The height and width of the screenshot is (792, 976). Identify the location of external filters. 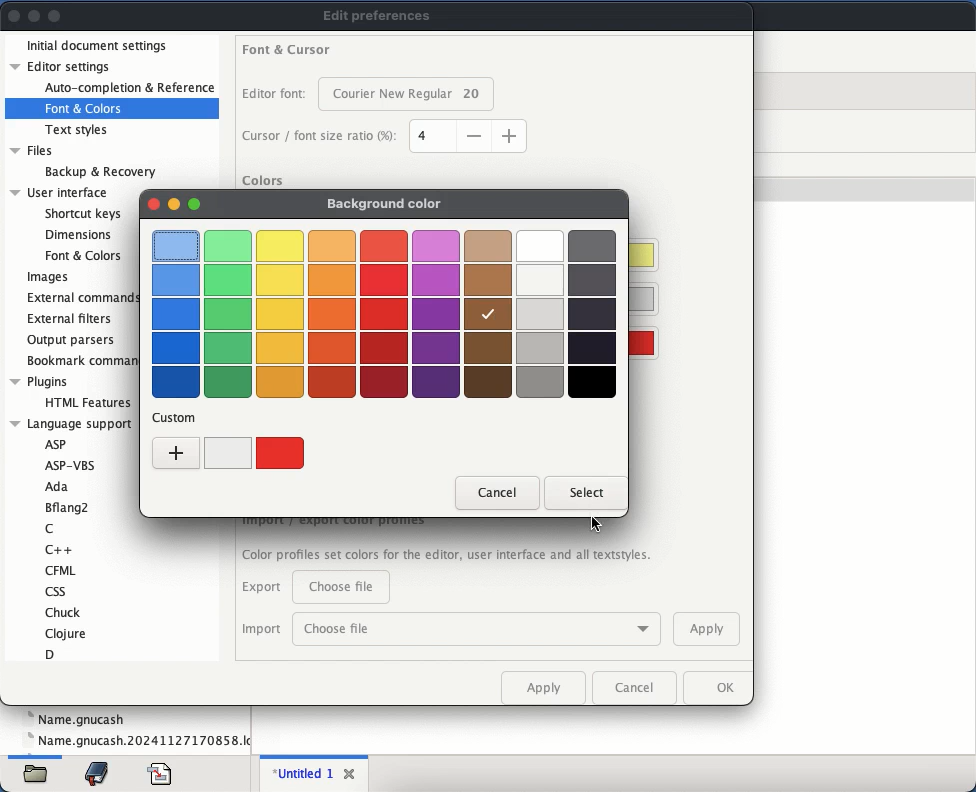
(69, 318).